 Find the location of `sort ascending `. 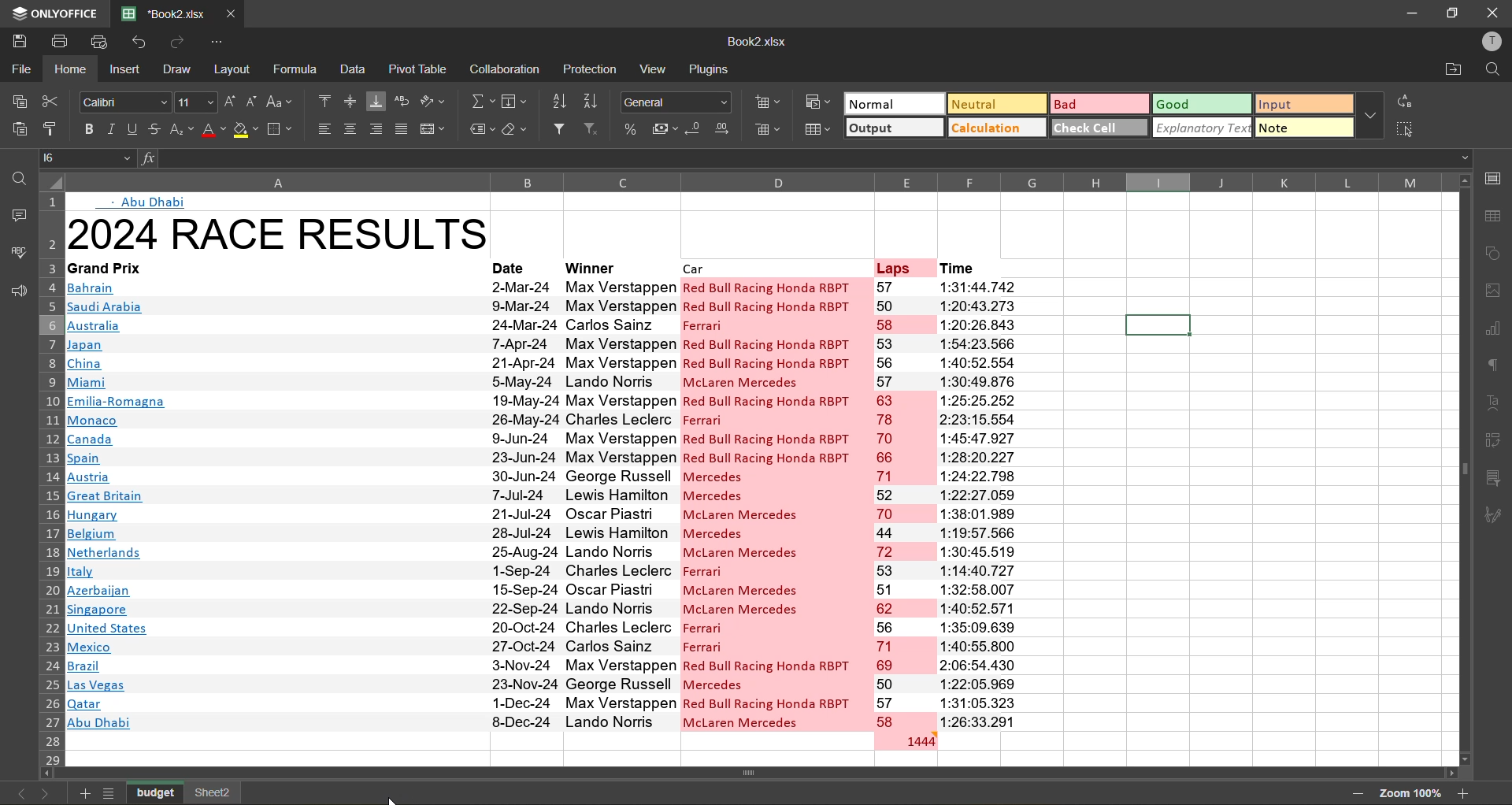

sort ascending  is located at coordinates (564, 103).